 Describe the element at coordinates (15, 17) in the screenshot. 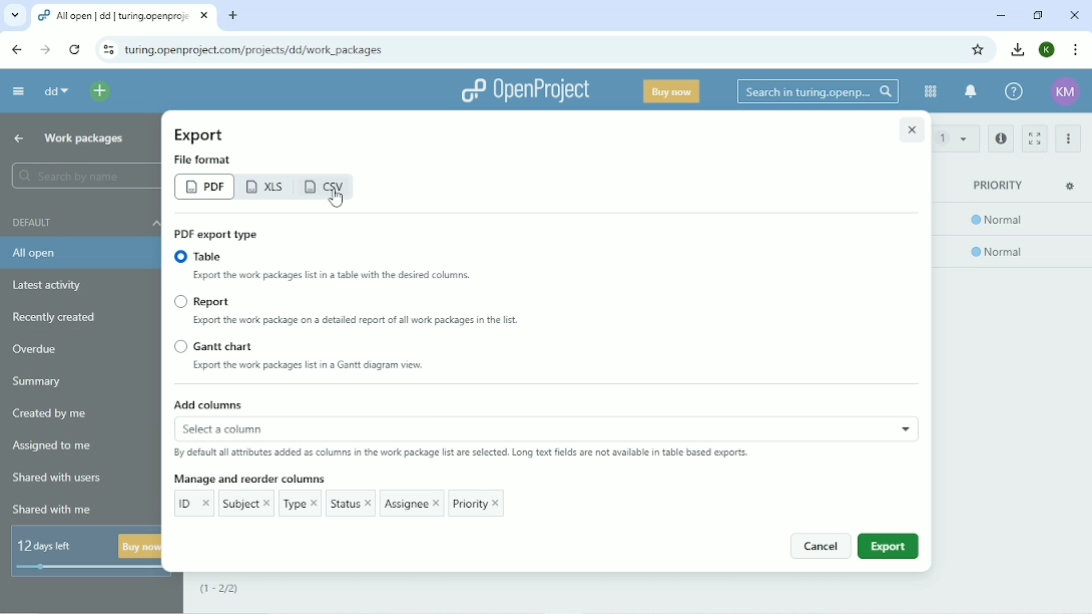

I see `Search tabs` at that location.